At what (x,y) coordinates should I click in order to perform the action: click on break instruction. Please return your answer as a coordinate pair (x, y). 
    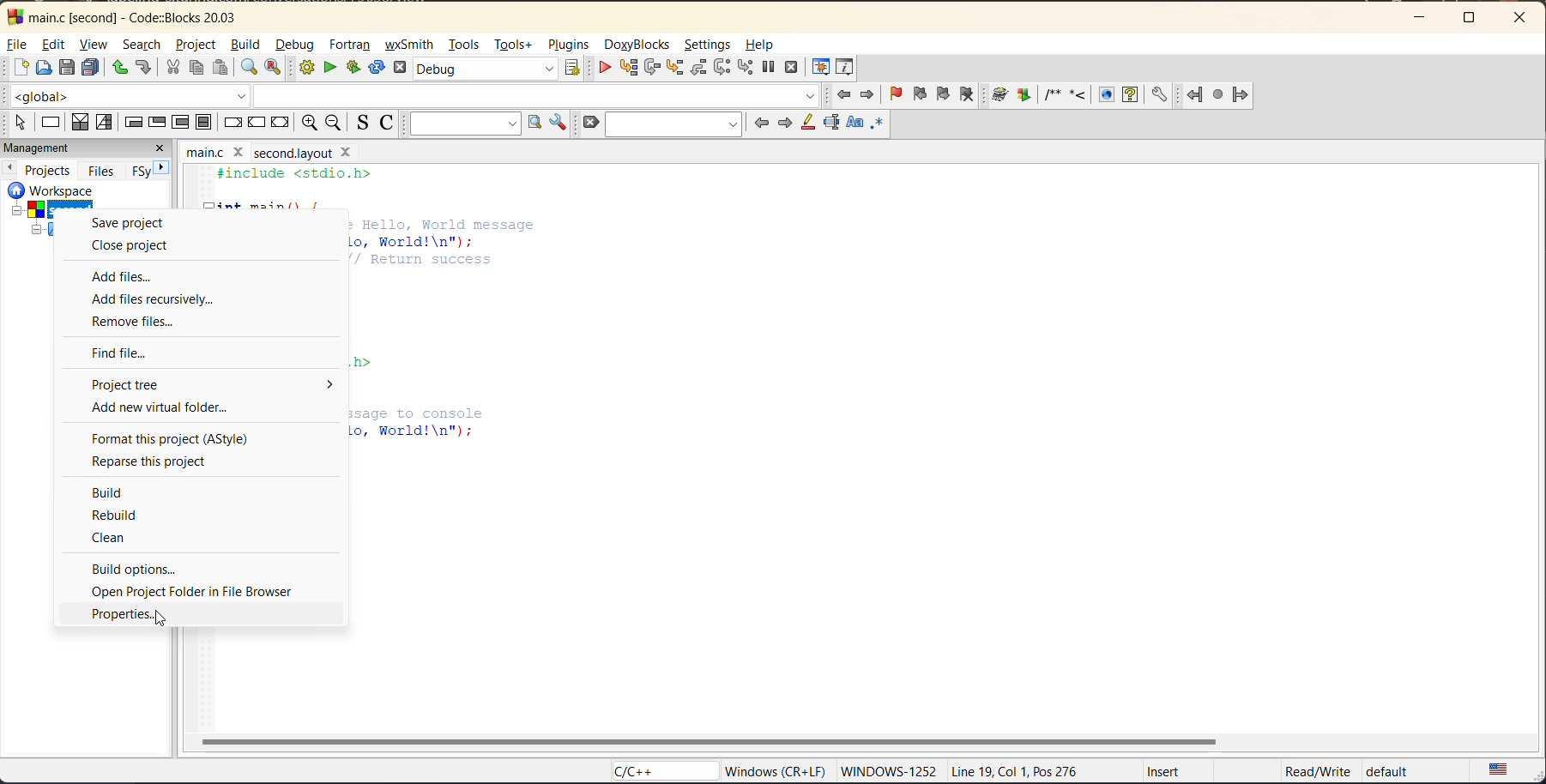
    Looking at the image, I should click on (235, 122).